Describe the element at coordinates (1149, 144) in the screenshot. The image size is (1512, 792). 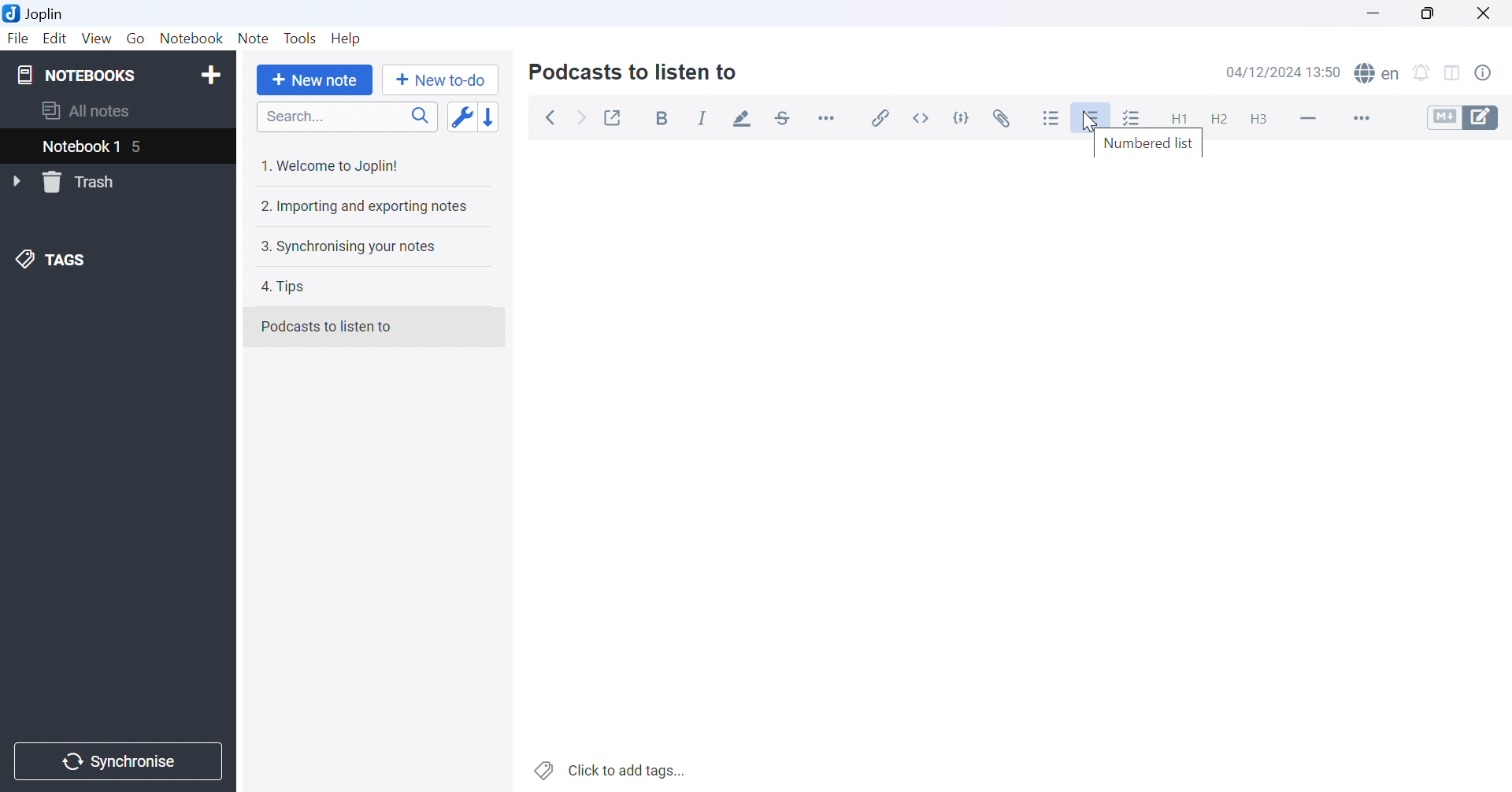
I see `Numbered list` at that location.